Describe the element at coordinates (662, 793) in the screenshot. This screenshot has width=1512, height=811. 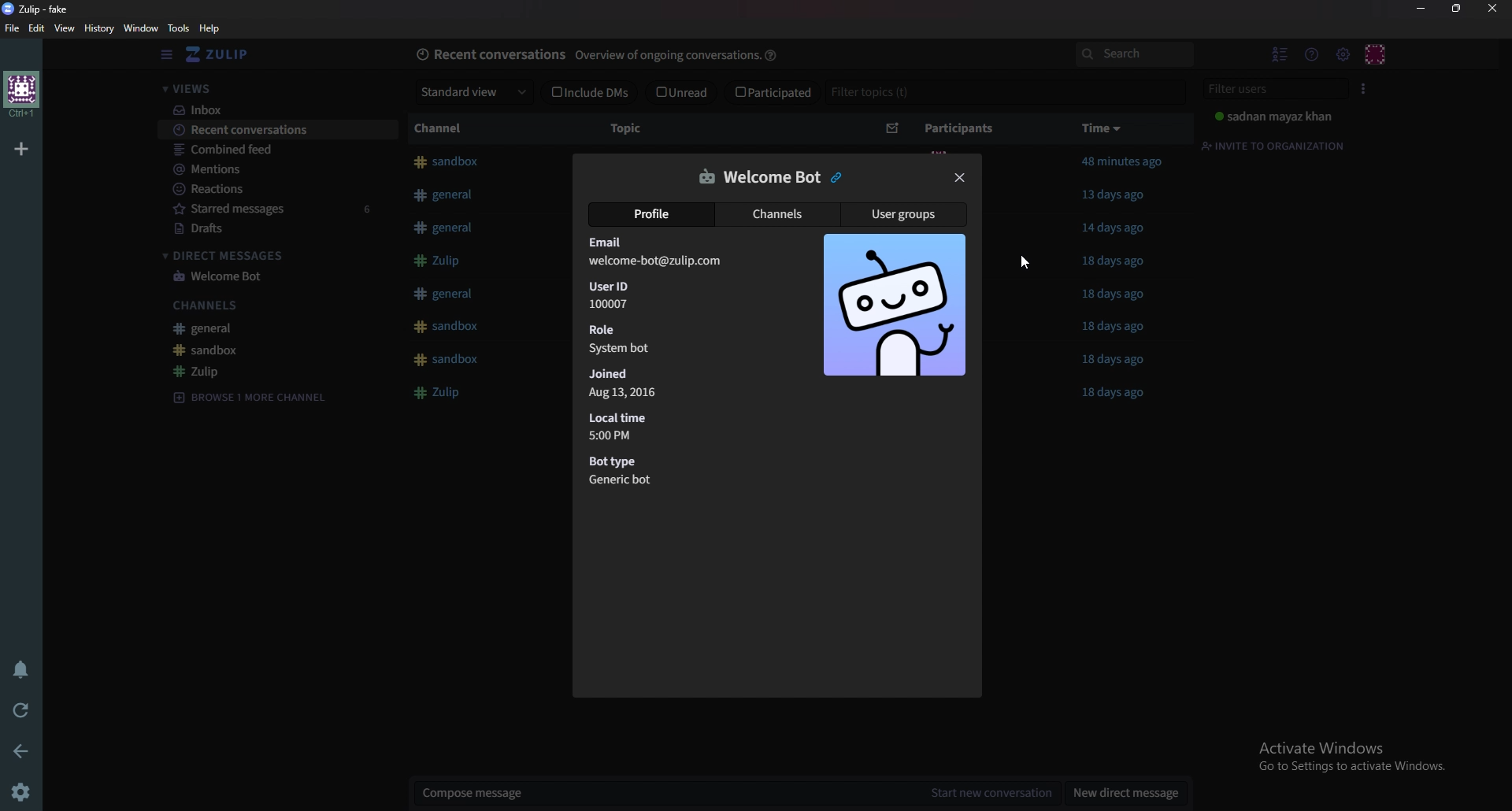
I see `Compose message` at that location.